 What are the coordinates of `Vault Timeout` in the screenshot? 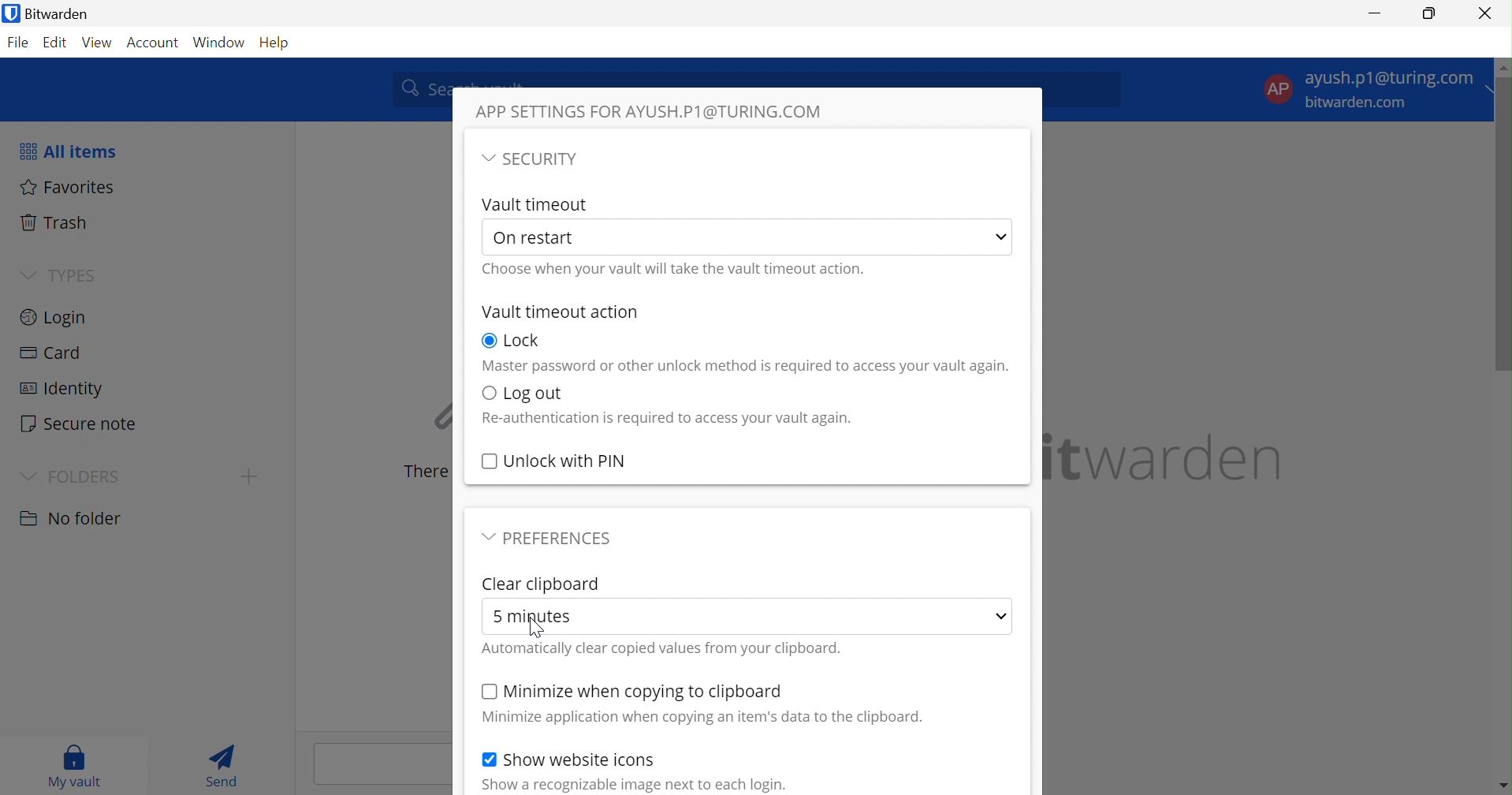 It's located at (535, 203).